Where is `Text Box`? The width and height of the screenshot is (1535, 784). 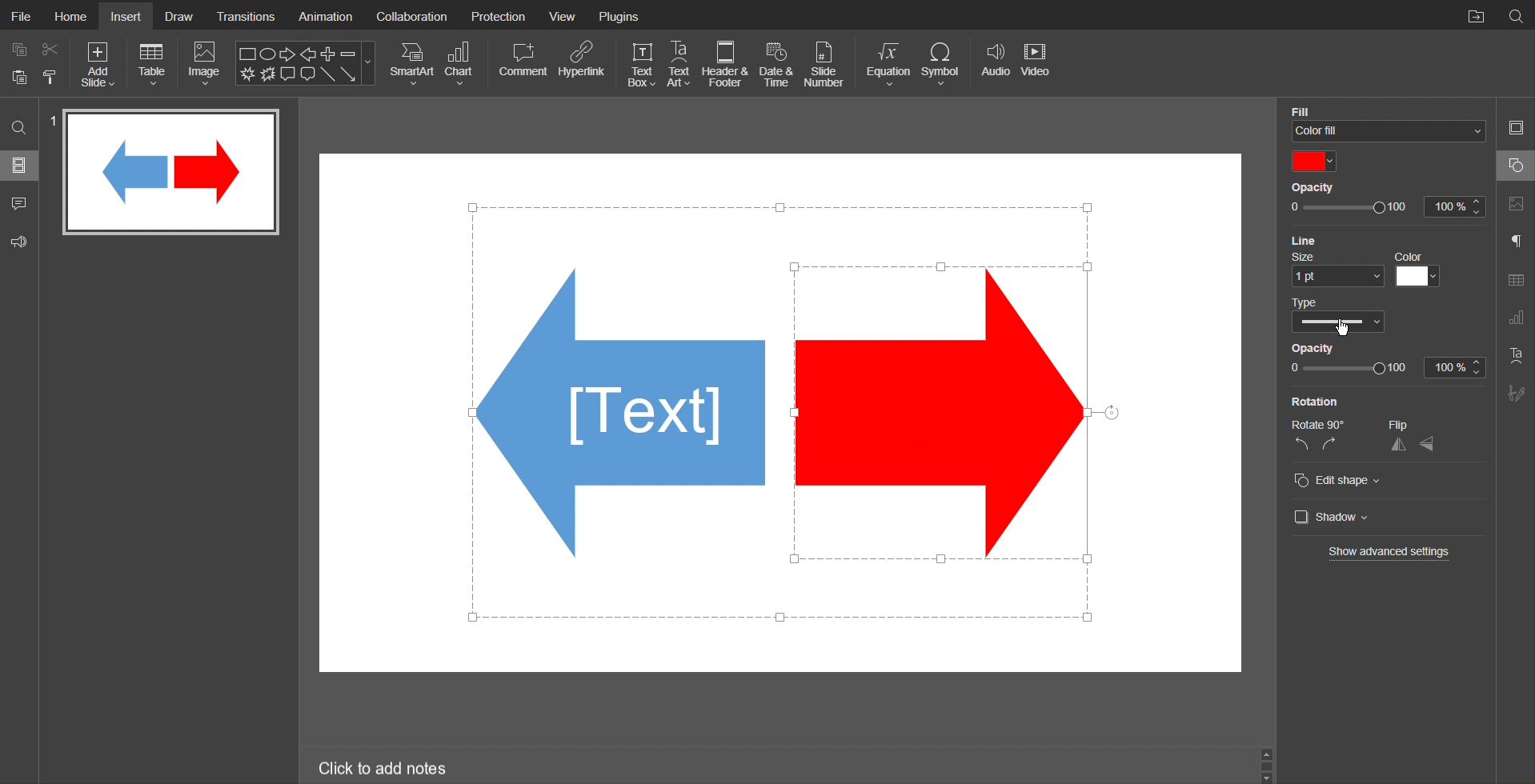 Text Box is located at coordinates (641, 64).